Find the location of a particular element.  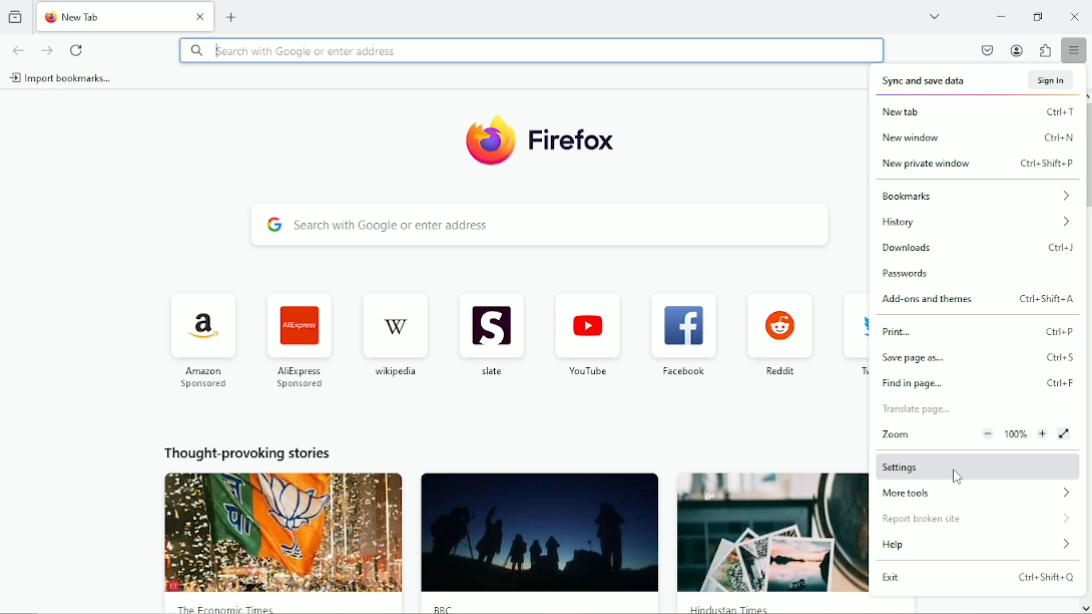

new tab is located at coordinates (232, 17).